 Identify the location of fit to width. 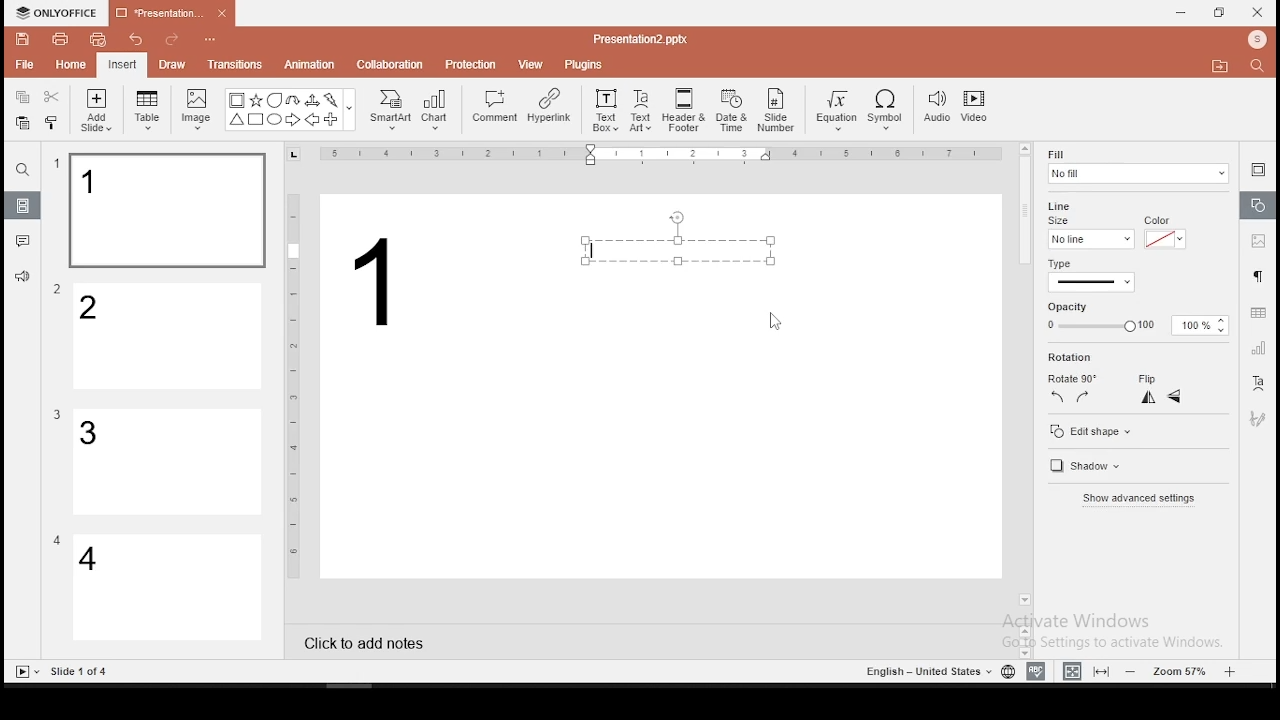
(1068, 670).